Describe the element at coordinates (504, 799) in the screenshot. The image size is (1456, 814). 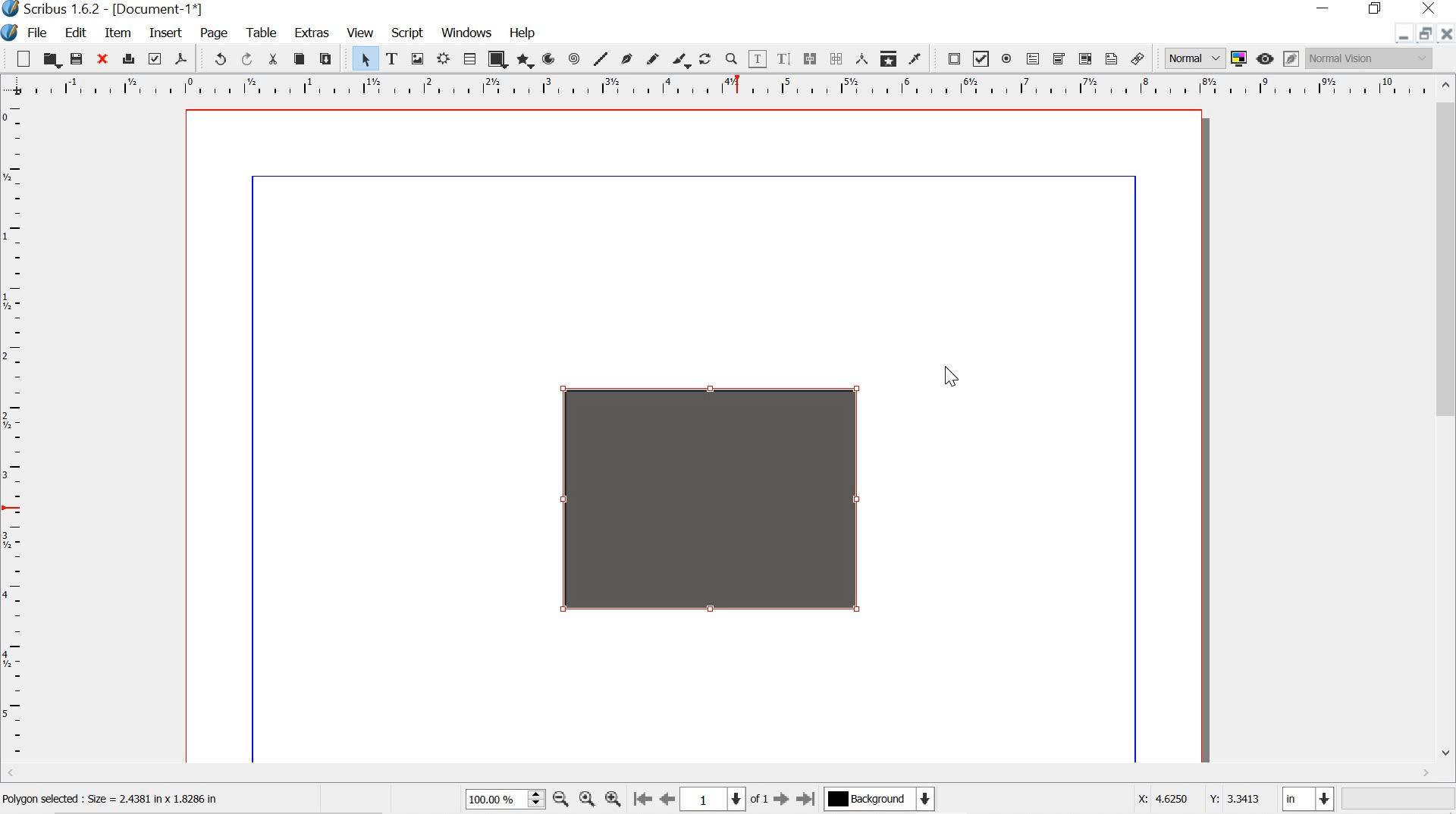
I see `100.00%` at that location.